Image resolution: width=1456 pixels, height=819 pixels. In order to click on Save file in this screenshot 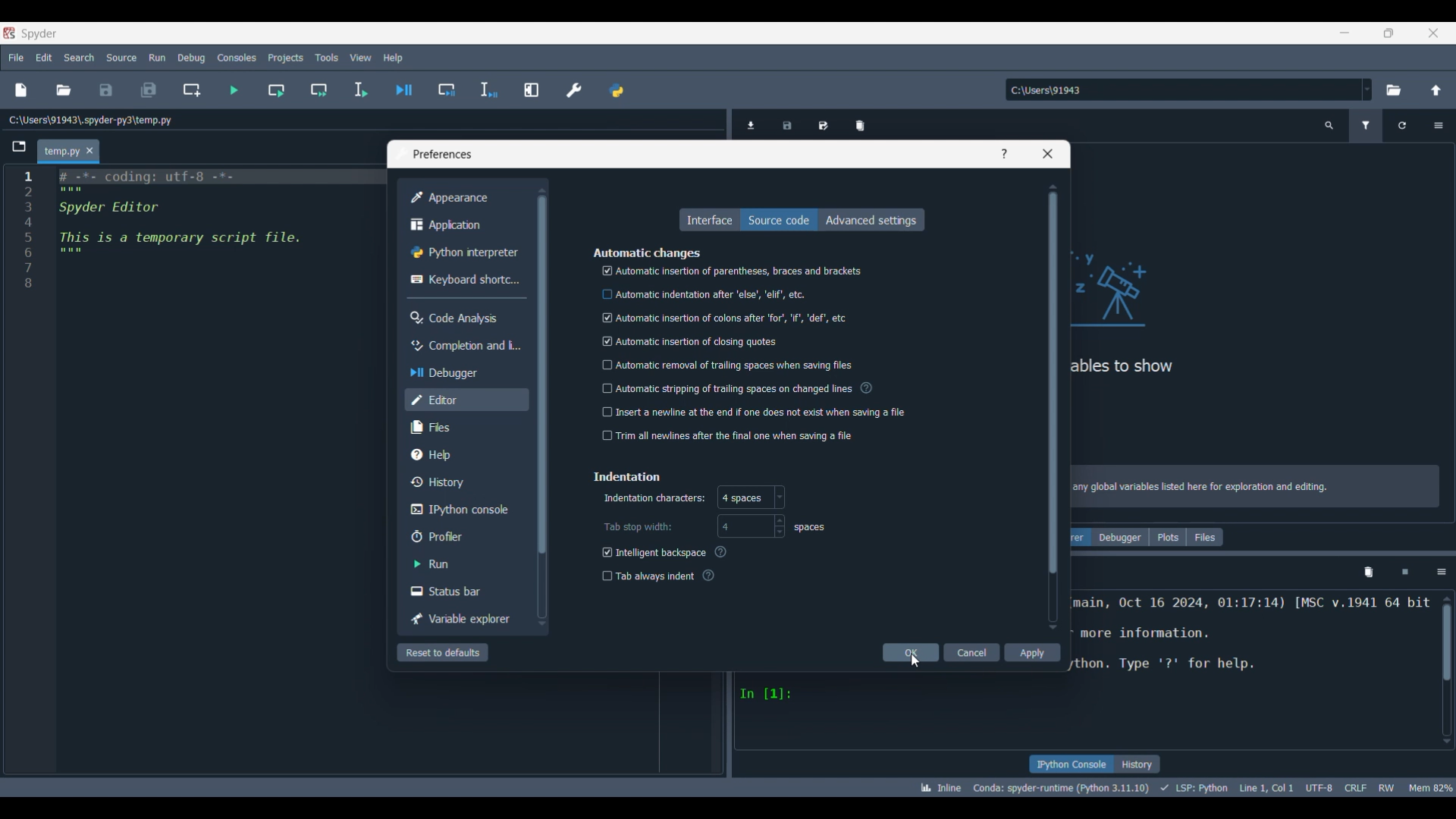, I will do `click(106, 90)`.